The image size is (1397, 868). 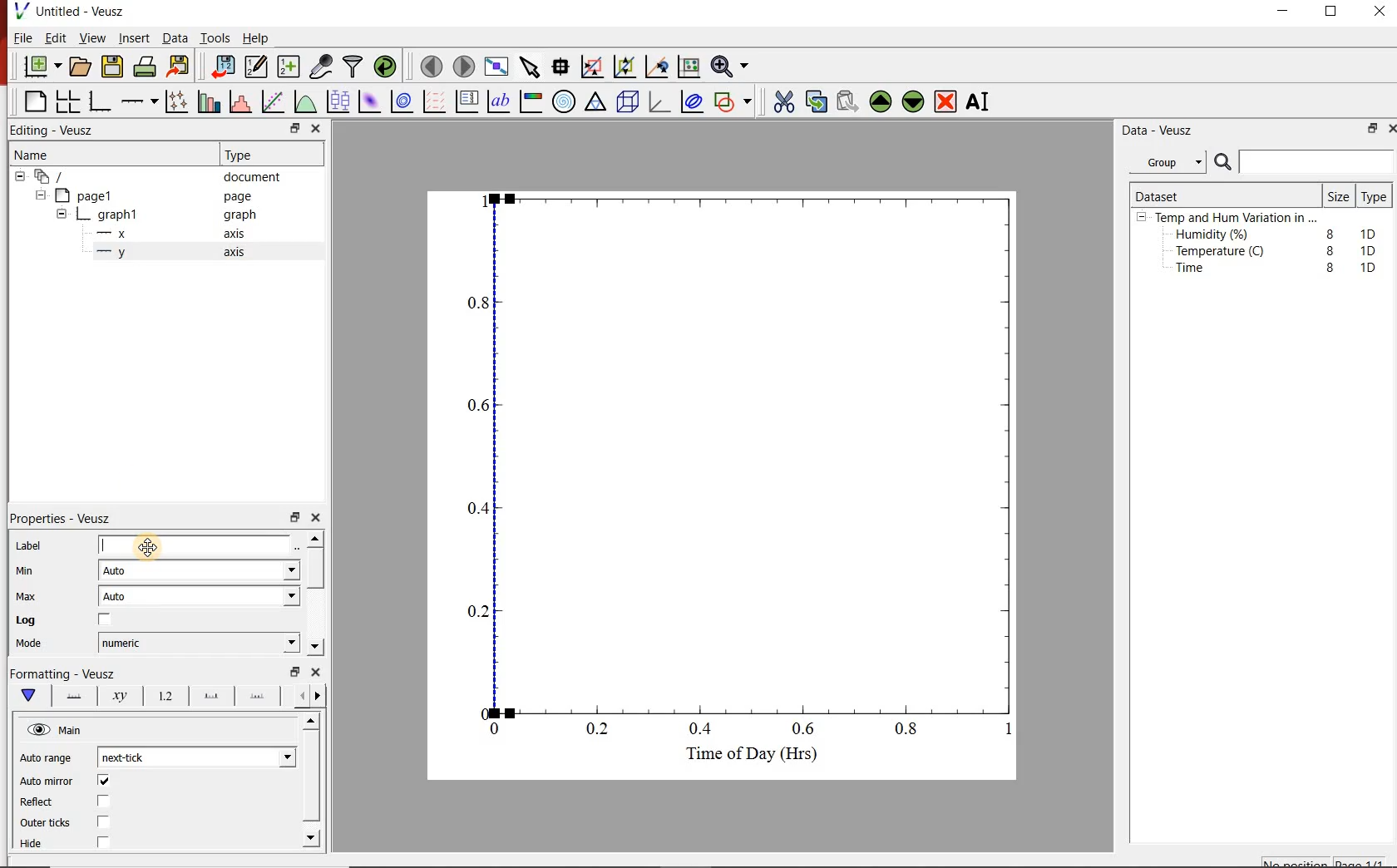 I want to click on Outer ticks, so click(x=81, y=824).